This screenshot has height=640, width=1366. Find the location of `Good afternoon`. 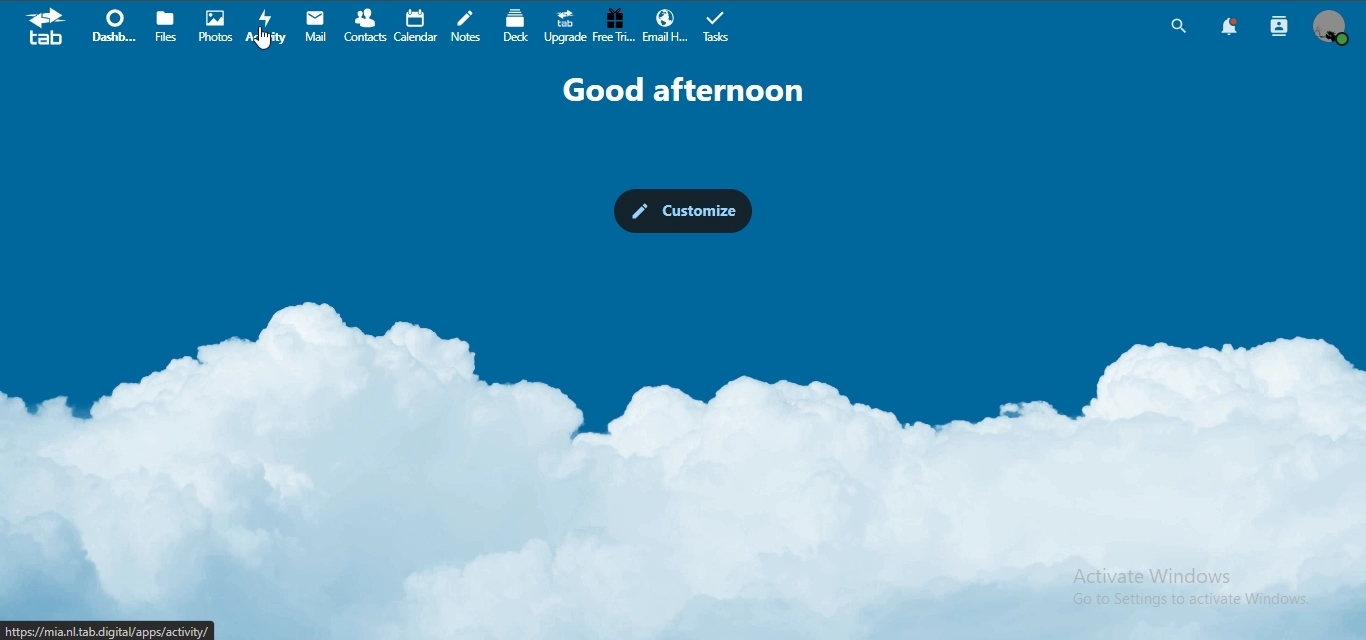

Good afternoon is located at coordinates (678, 86).